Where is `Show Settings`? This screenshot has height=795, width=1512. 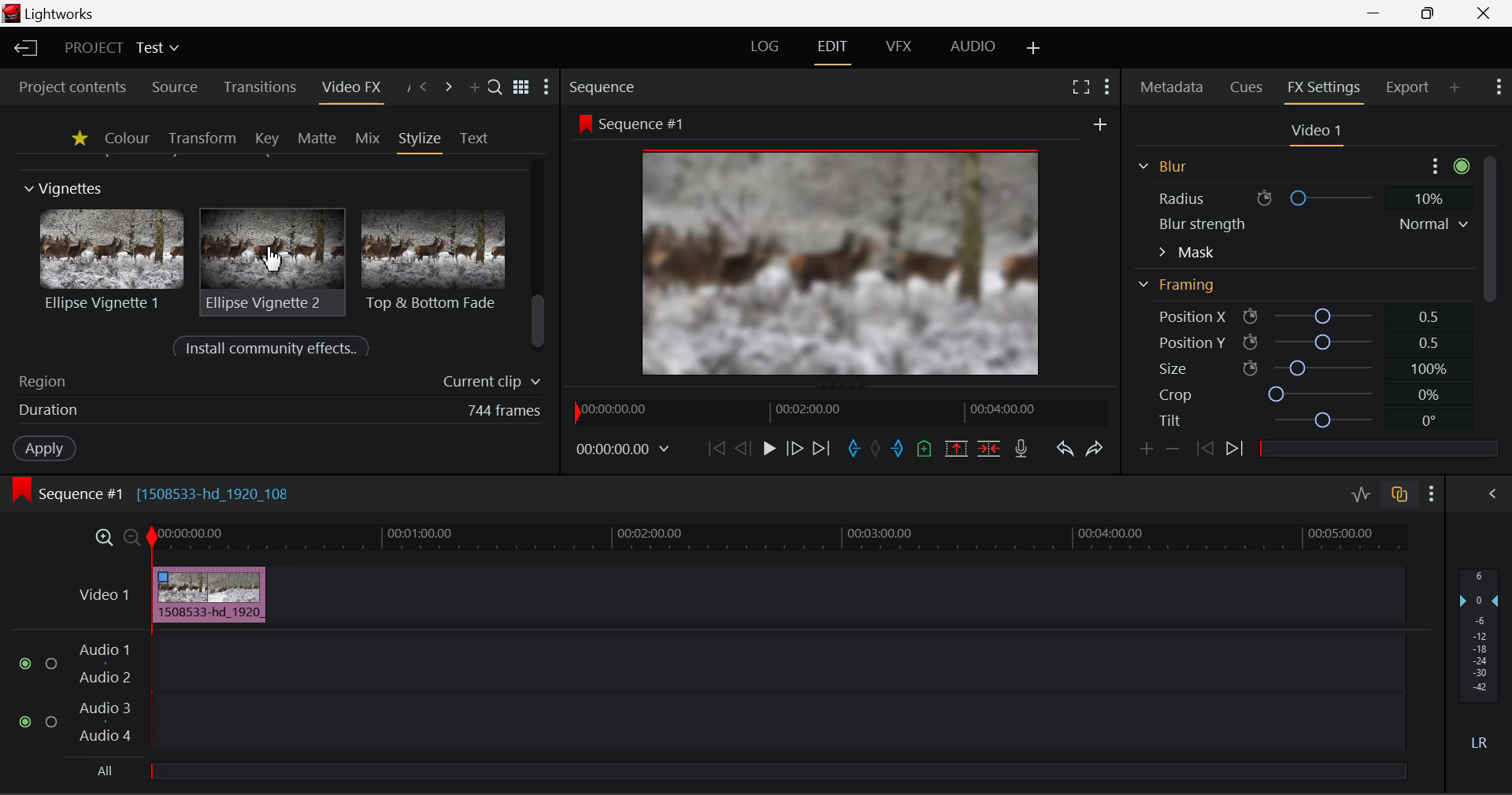
Show Settings is located at coordinates (1107, 85).